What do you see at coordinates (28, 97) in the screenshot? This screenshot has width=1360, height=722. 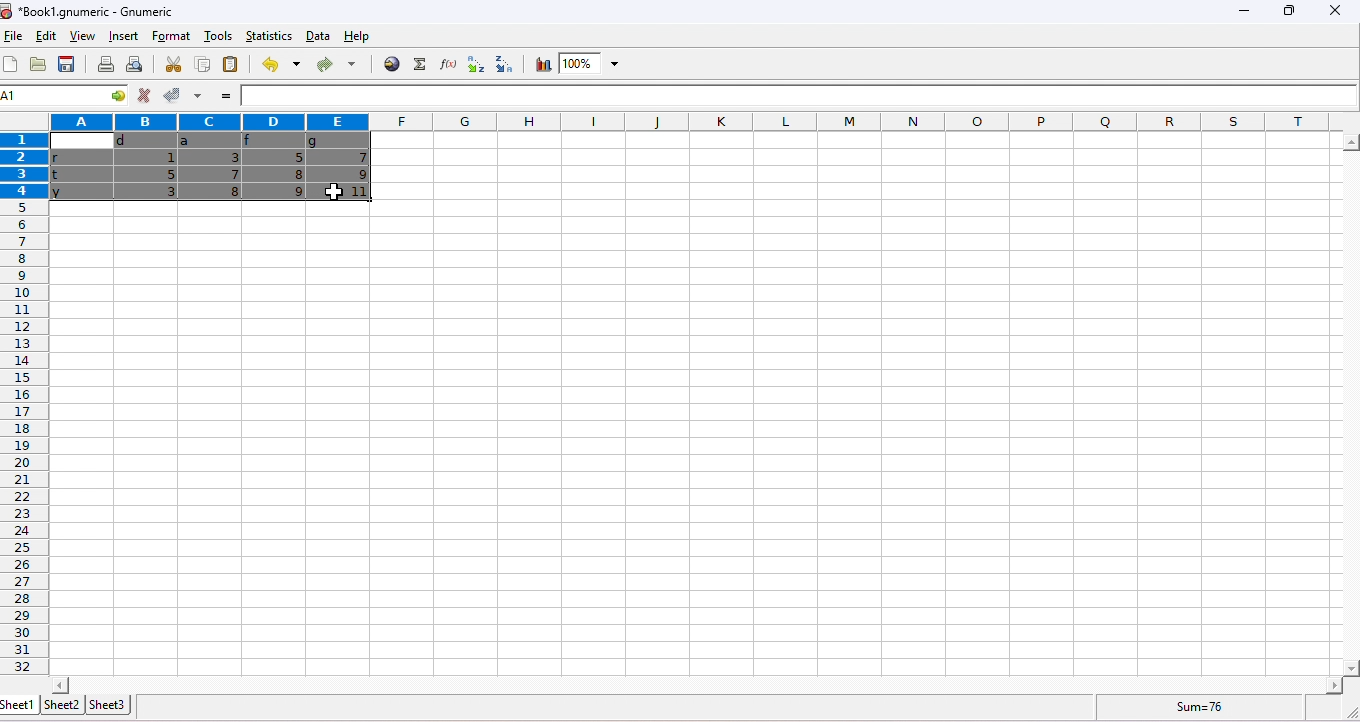 I see `selected cell ranges` at bounding box center [28, 97].